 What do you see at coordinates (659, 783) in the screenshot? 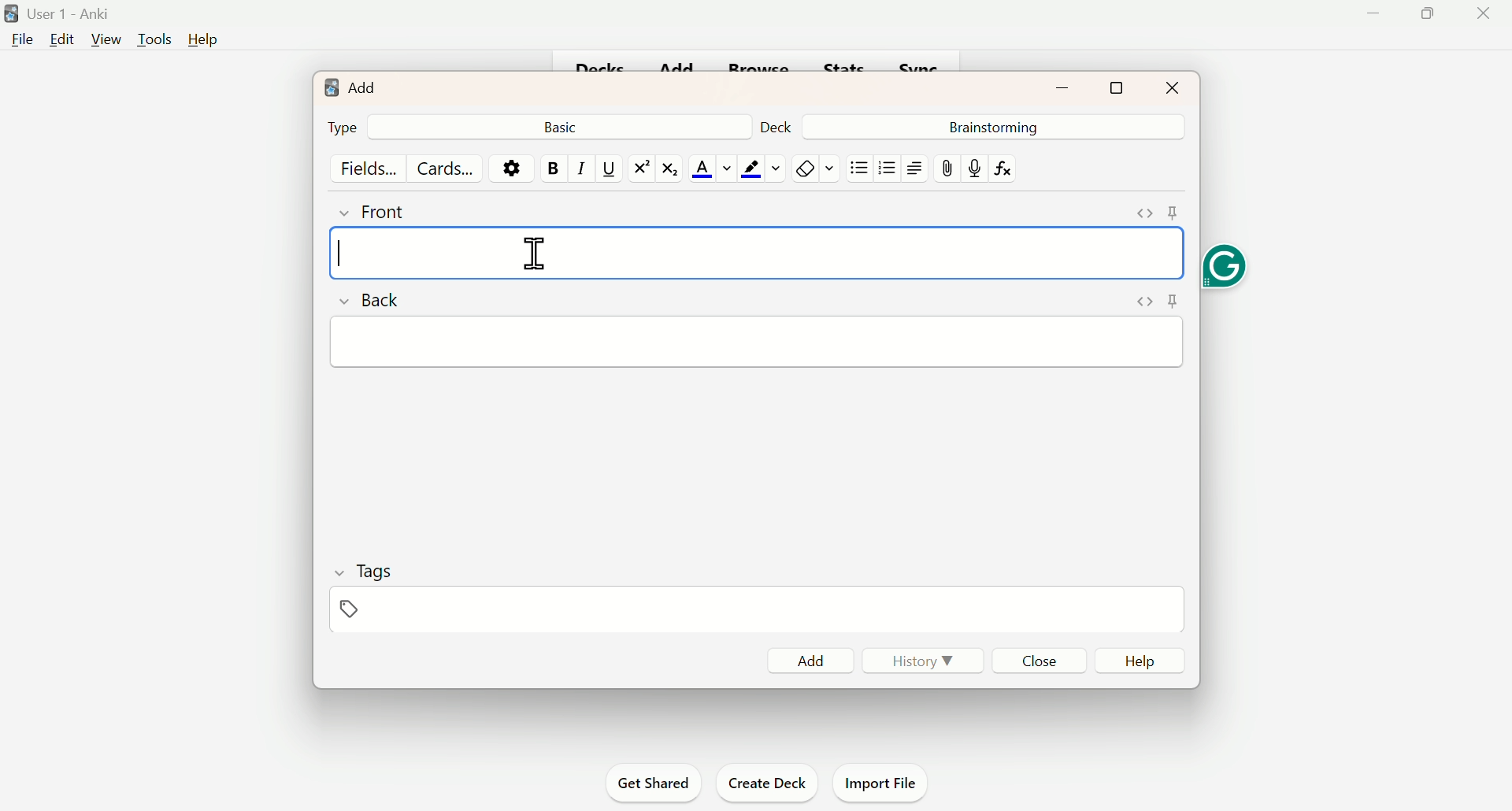
I see `Get Shared` at bounding box center [659, 783].